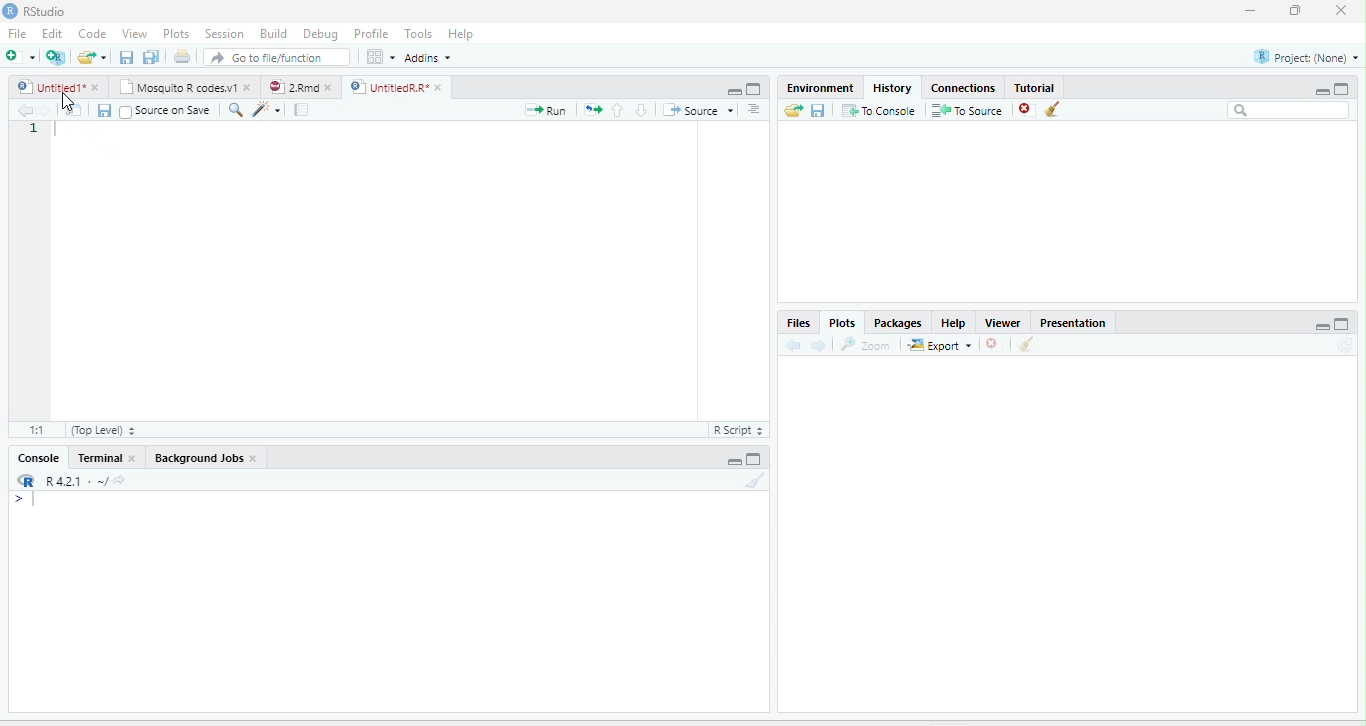 Image resolution: width=1366 pixels, height=726 pixels. I want to click on Mosquito R codes.v1, so click(176, 87).